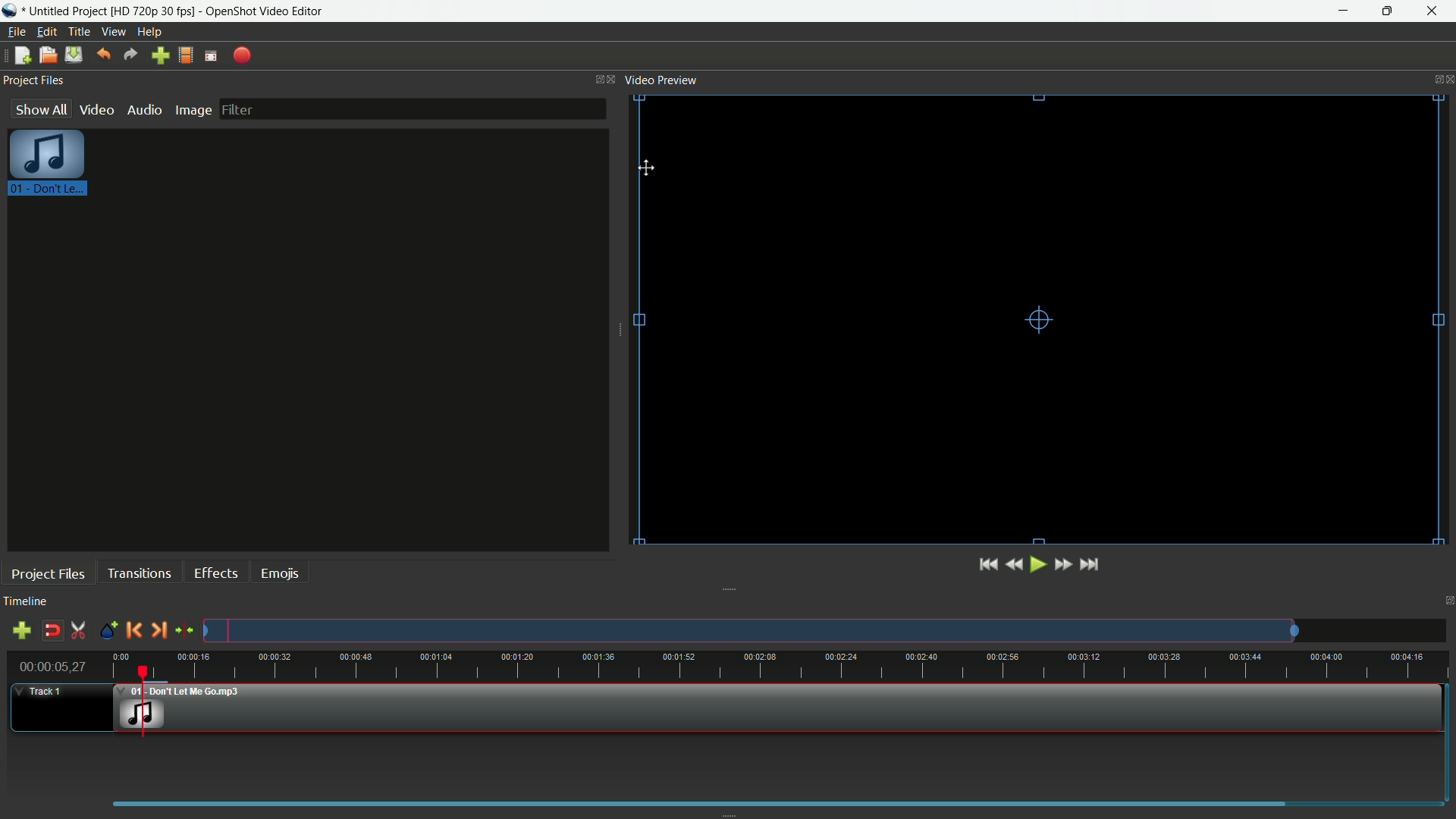  I want to click on project name, so click(69, 11).